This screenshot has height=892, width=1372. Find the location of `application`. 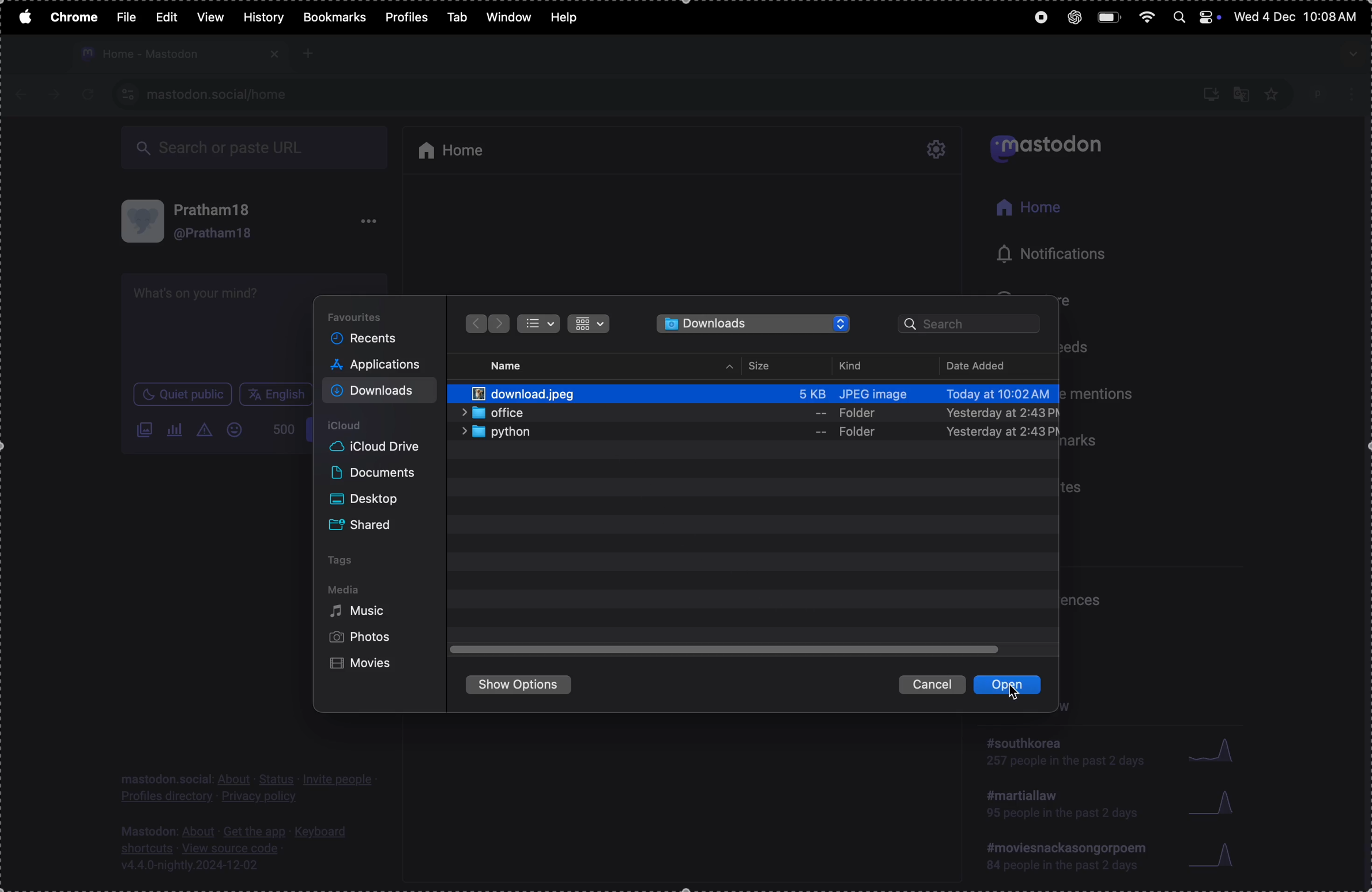

application is located at coordinates (381, 366).